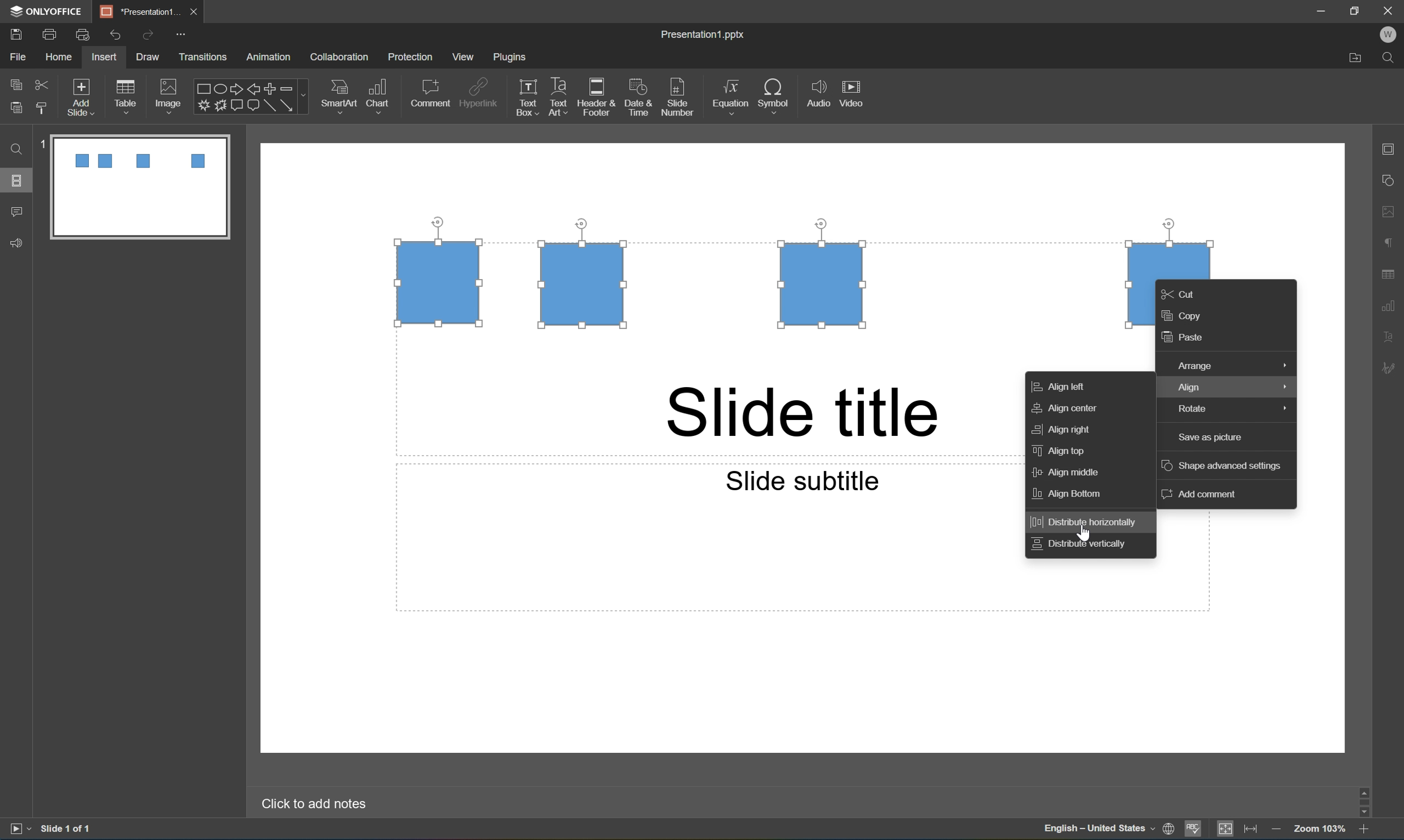 This screenshot has height=840, width=1404. Describe the element at coordinates (18, 109) in the screenshot. I see `paste` at that location.